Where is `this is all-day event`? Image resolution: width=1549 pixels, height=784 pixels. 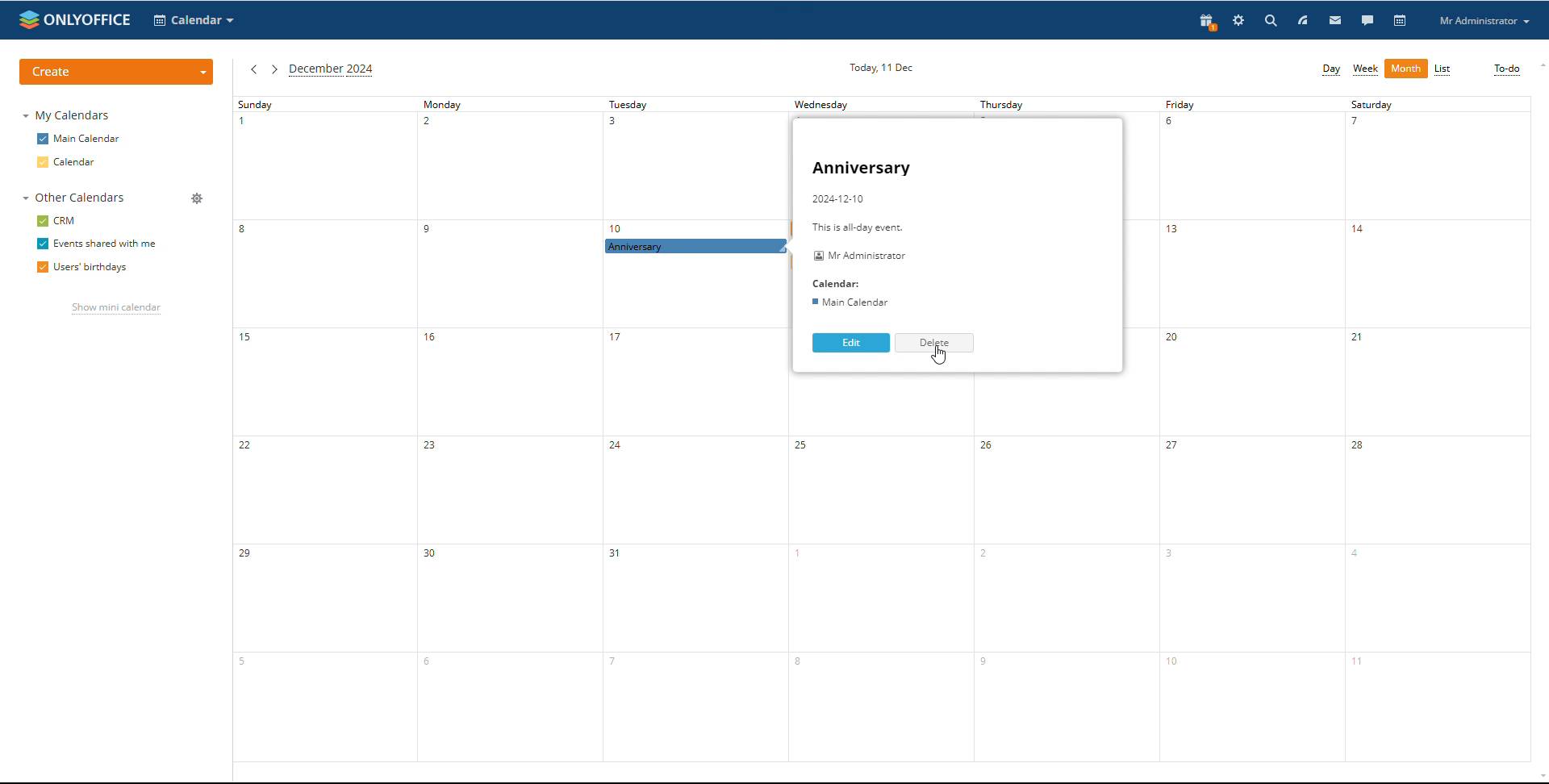 this is all-day event is located at coordinates (872, 227).